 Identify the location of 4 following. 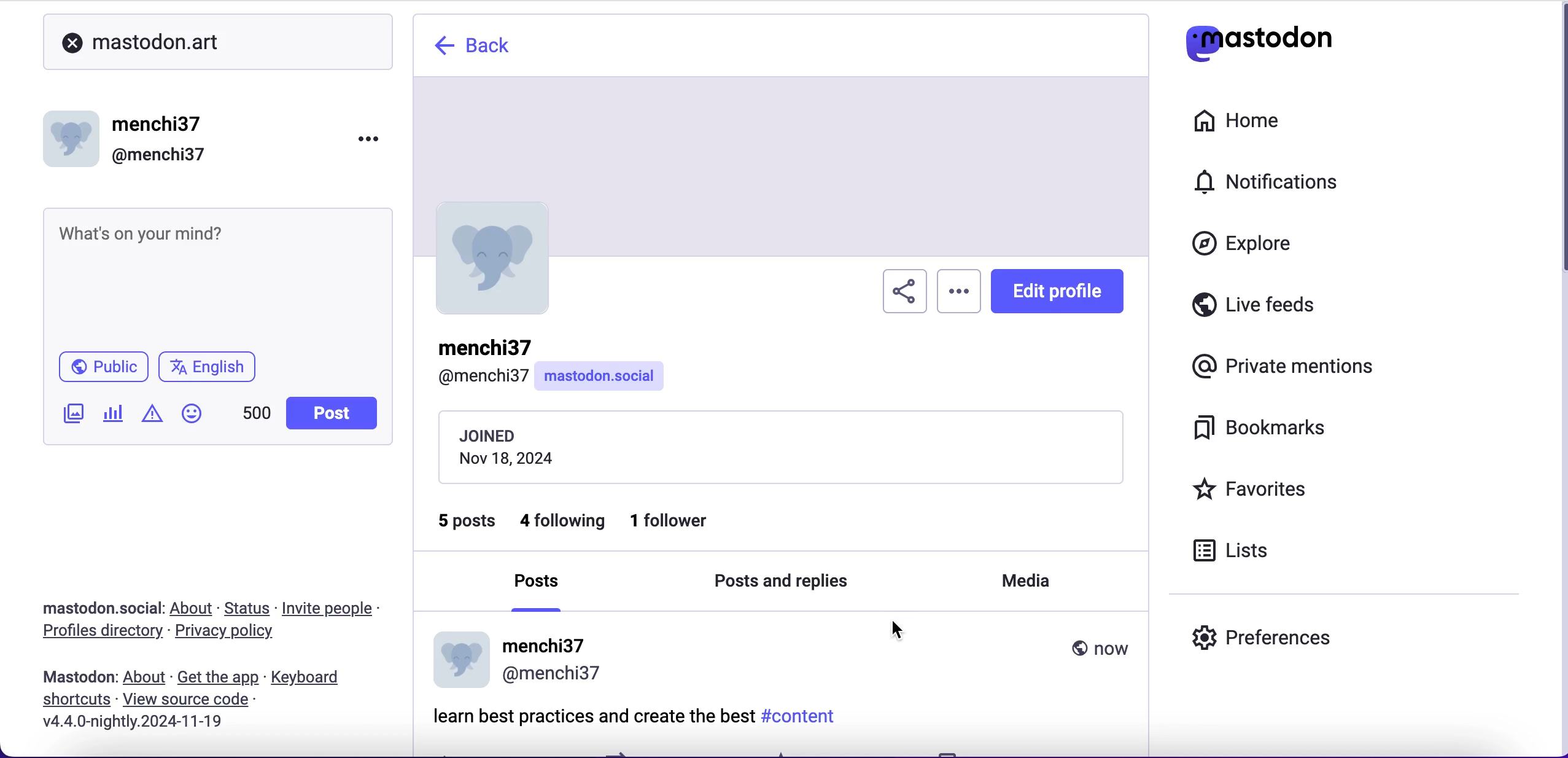
(562, 526).